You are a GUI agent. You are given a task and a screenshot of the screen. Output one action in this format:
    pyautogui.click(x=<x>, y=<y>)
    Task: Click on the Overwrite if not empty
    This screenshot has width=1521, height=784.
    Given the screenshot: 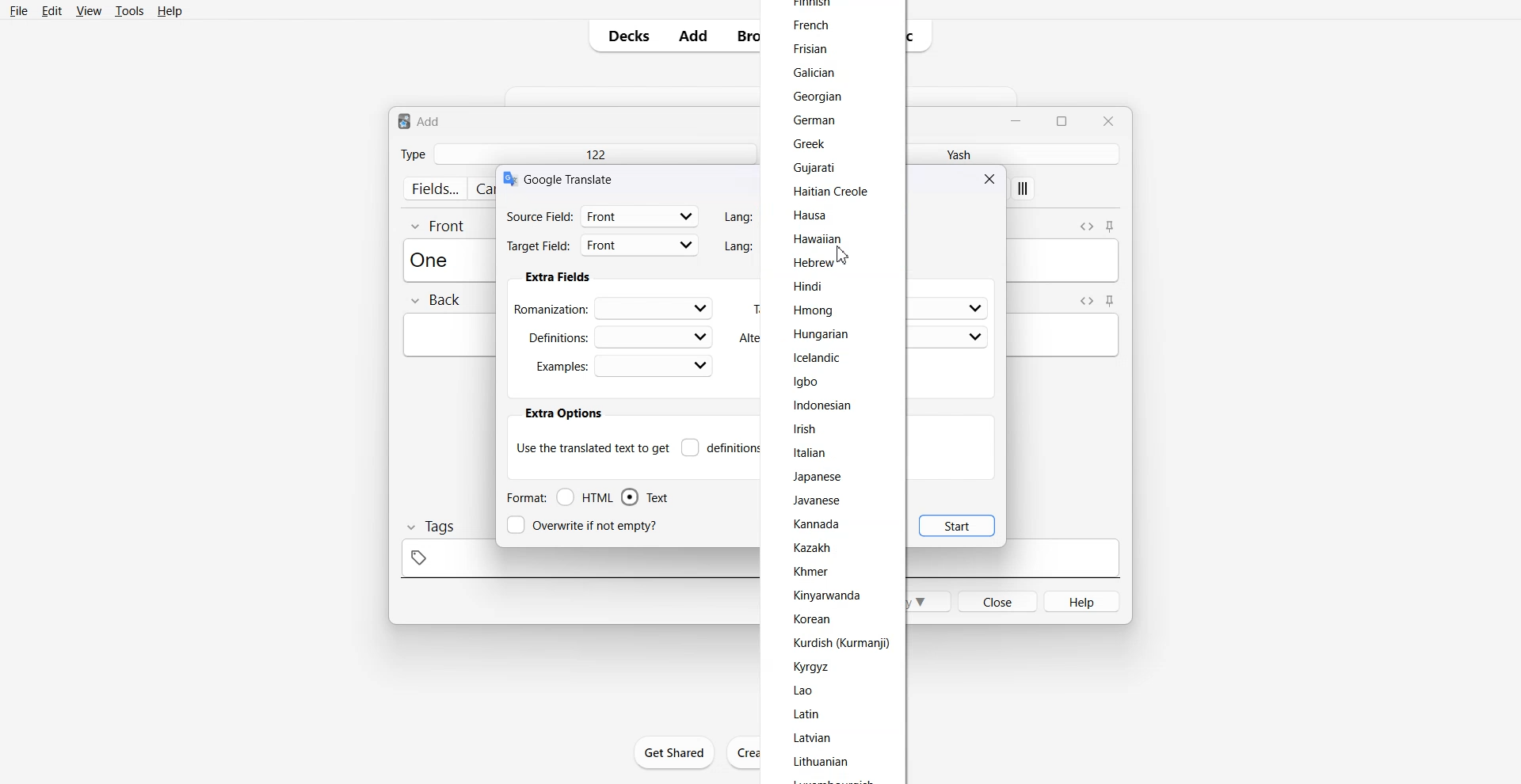 What is the action you would take?
    pyautogui.click(x=585, y=525)
    